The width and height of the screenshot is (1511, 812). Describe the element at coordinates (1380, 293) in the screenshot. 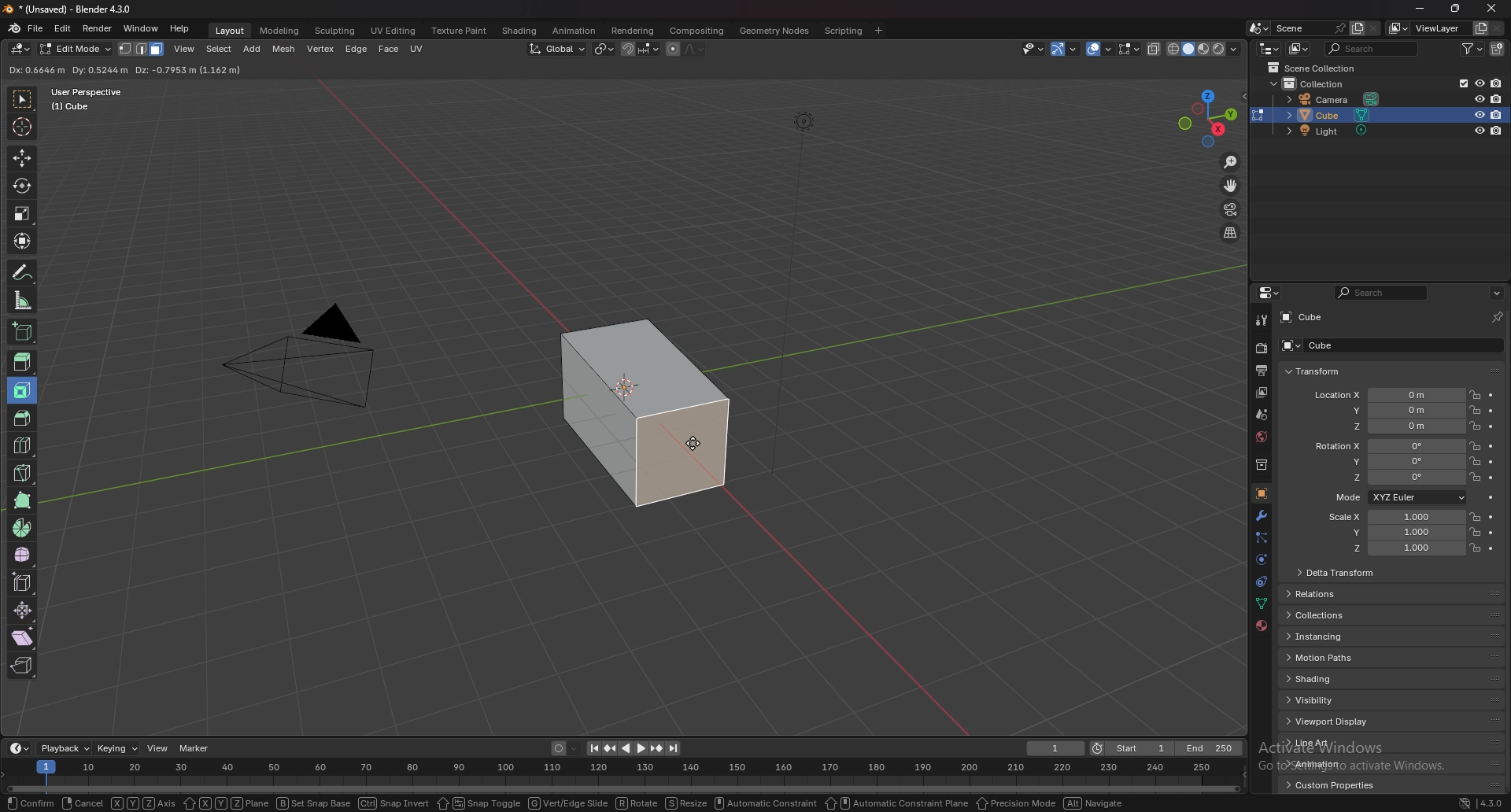

I see `search` at that location.